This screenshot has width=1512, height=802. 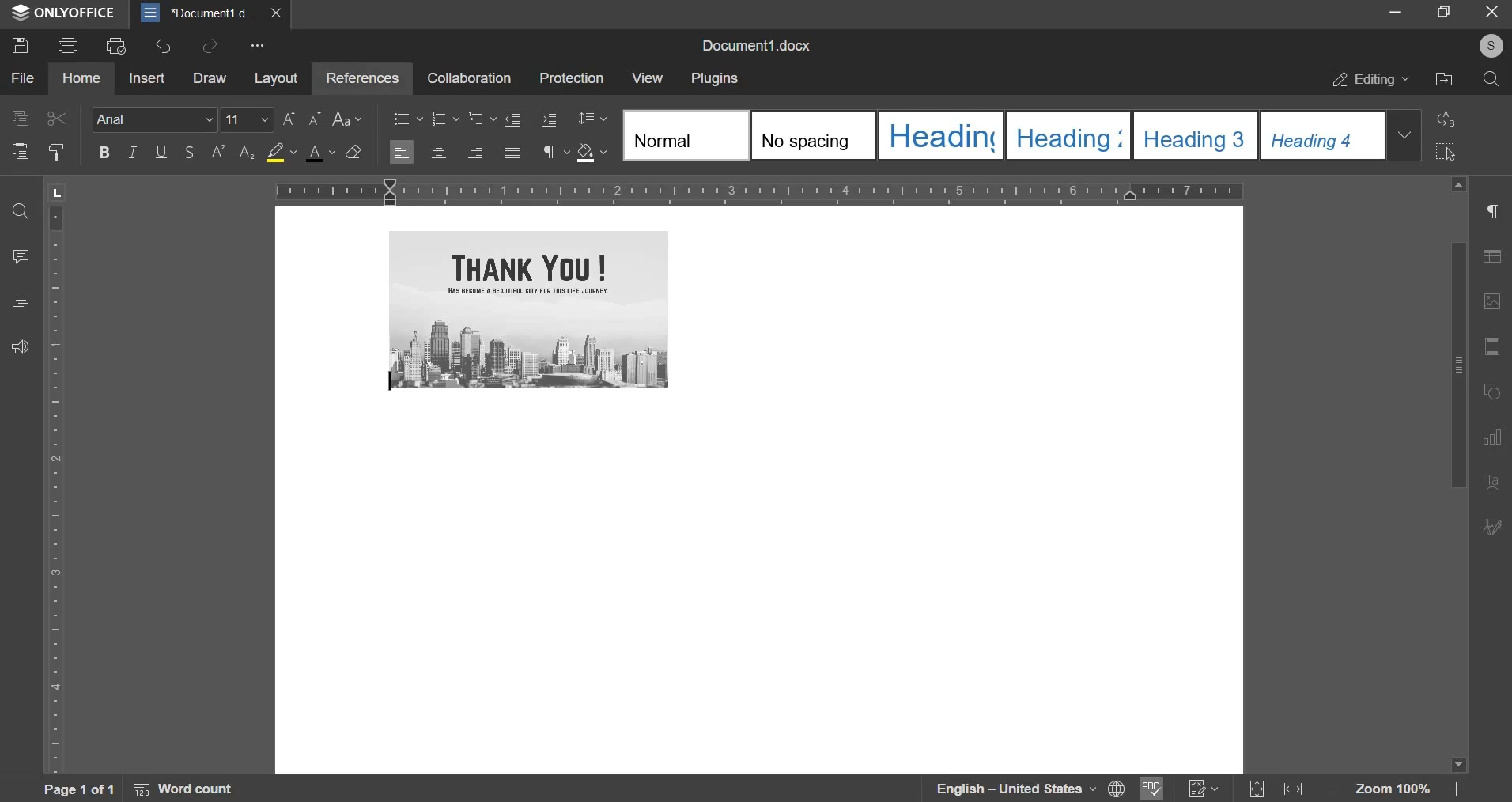 What do you see at coordinates (201, 13) in the screenshot?
I see `document1.d` at bounding box center [201, 13].